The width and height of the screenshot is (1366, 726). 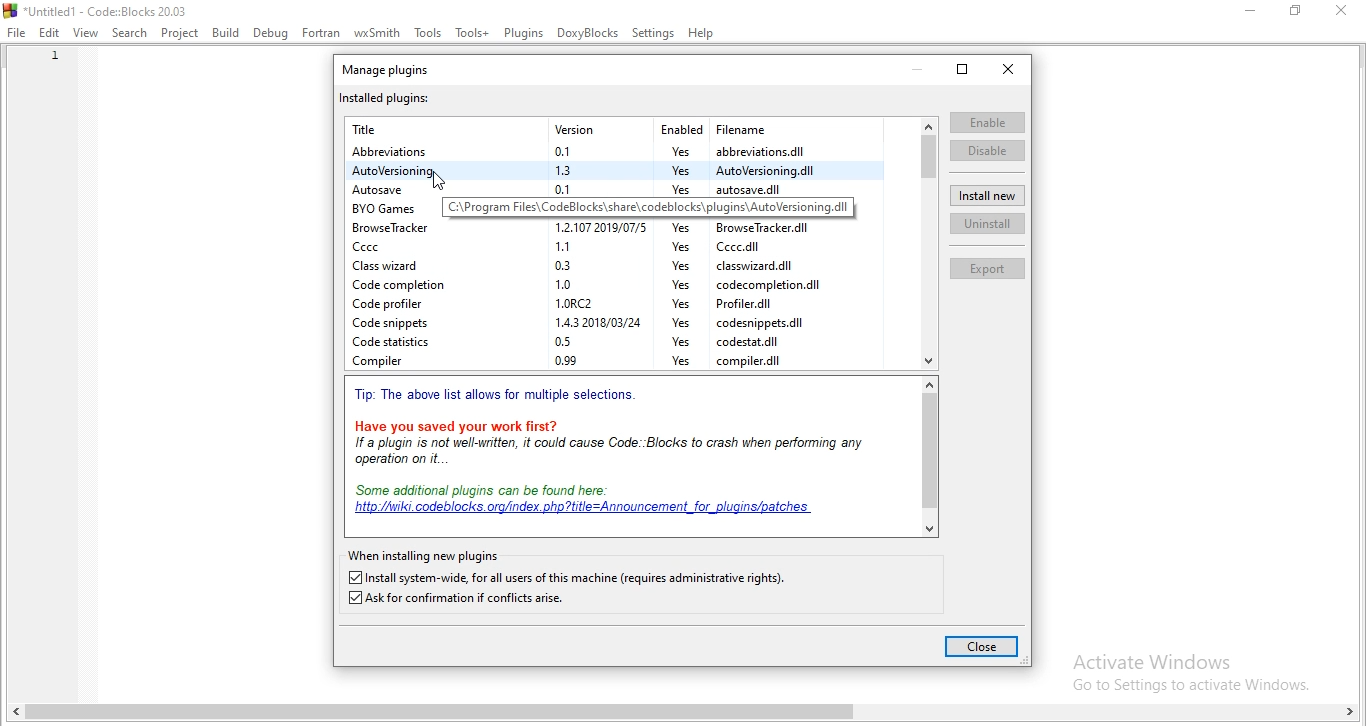 What do you see at coordinates (929, 241) in the screenshot?
I see `scroll bar` at bounding box center [929, 241].